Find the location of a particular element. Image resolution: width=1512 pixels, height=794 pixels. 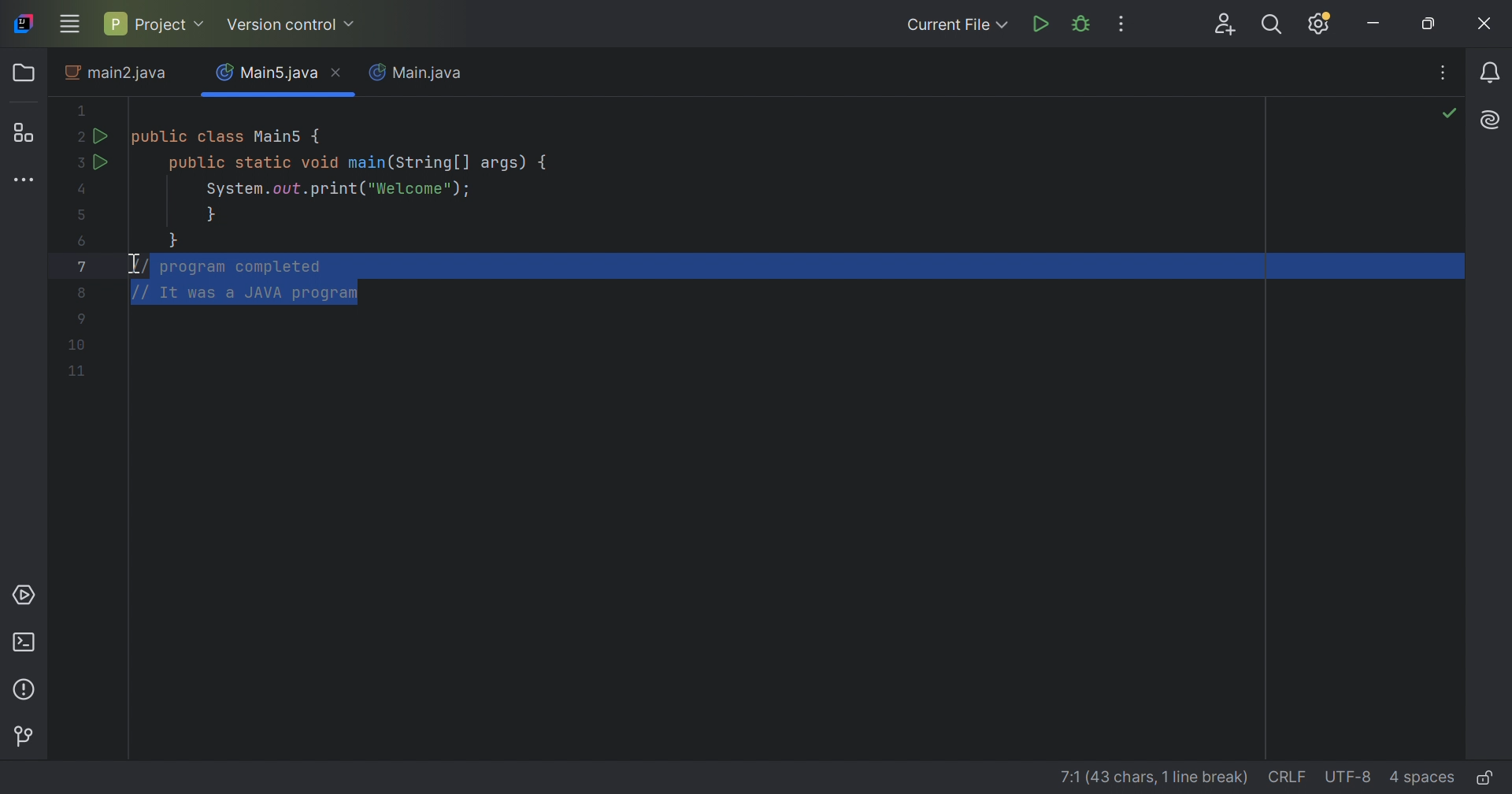

More tool windows is located at coordinates (23, 181).